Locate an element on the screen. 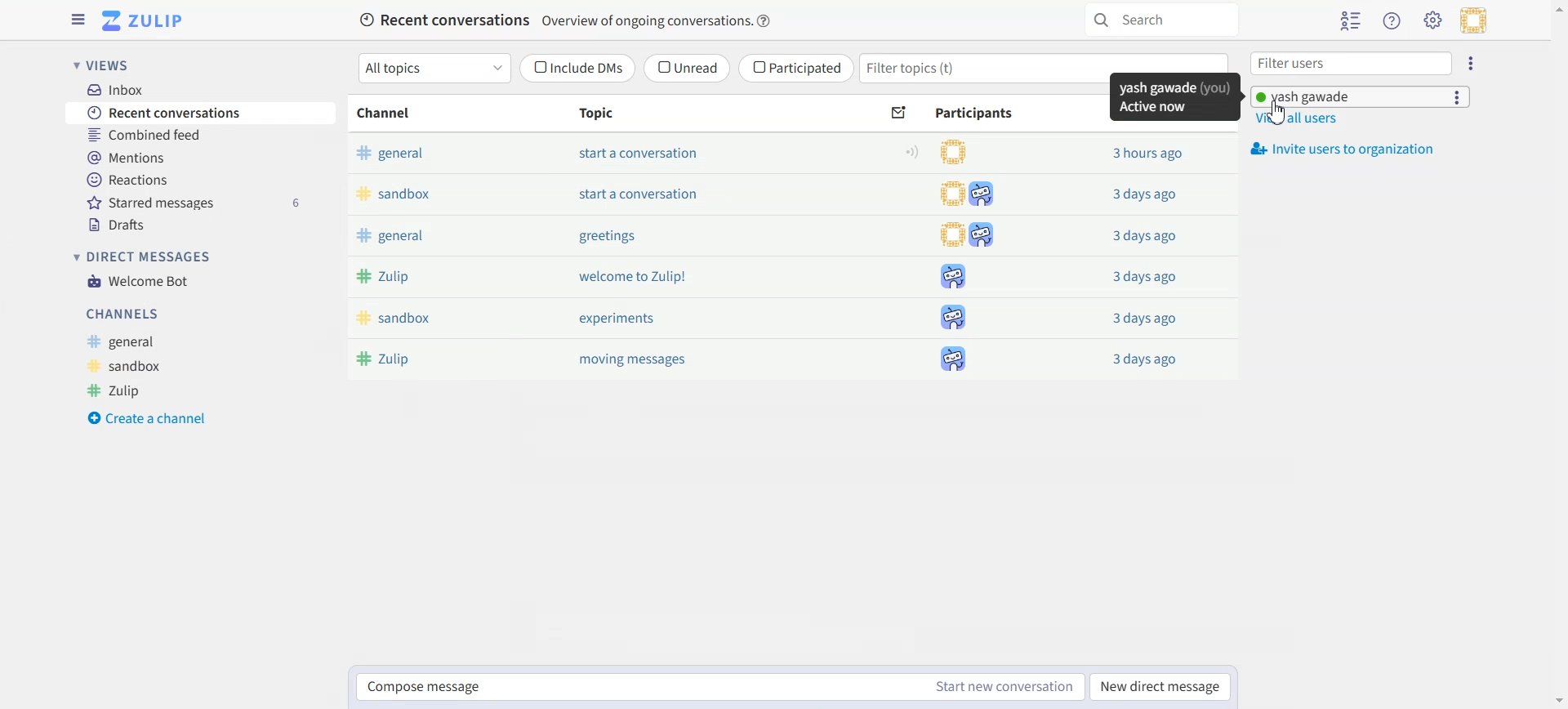 This screenshot has height=709, width=1568. Drafts is located at coordinates (121, 226).